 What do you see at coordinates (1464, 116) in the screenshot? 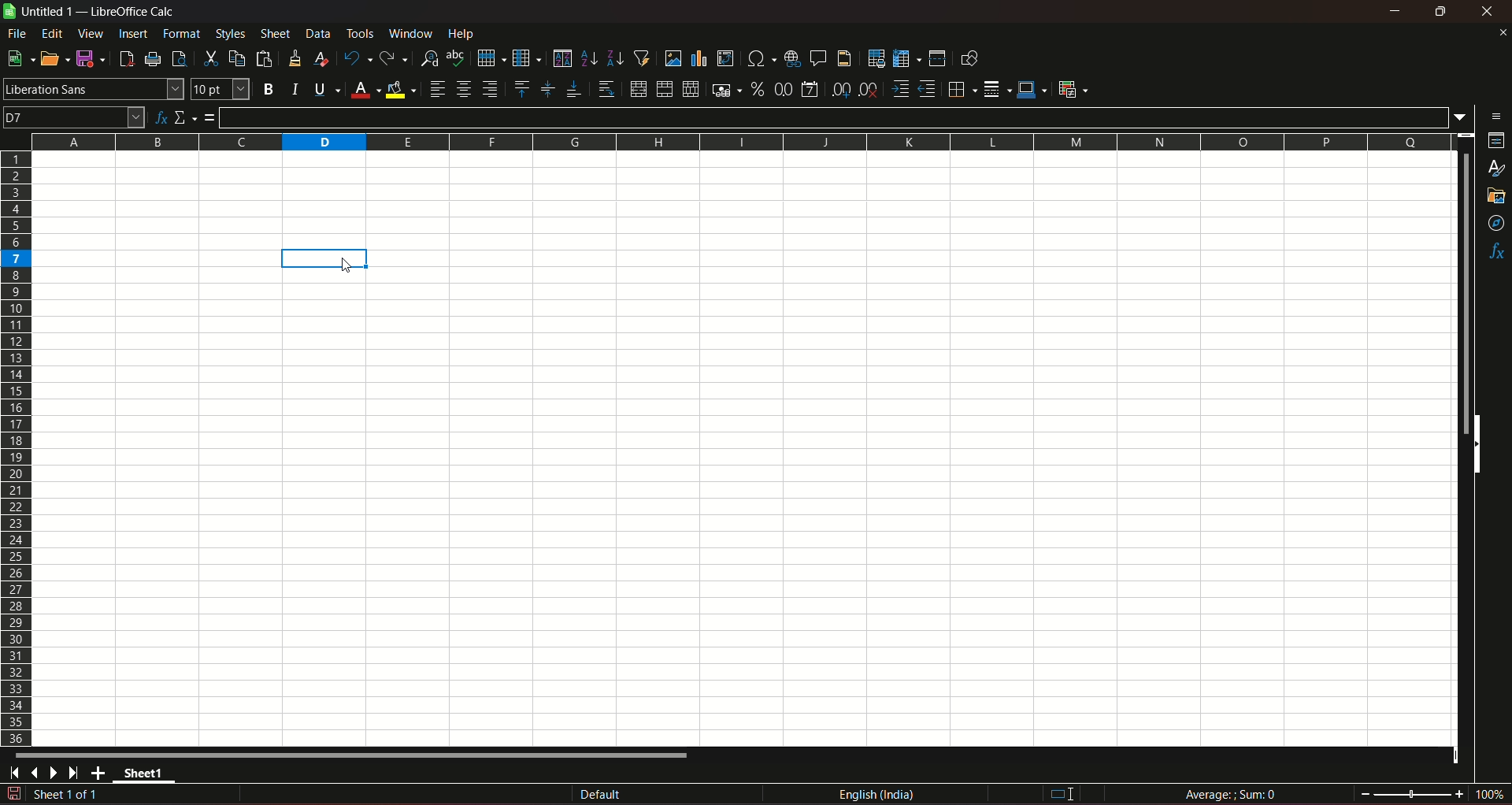
I see `expand formula bar` at bounding box center [1464, 116].